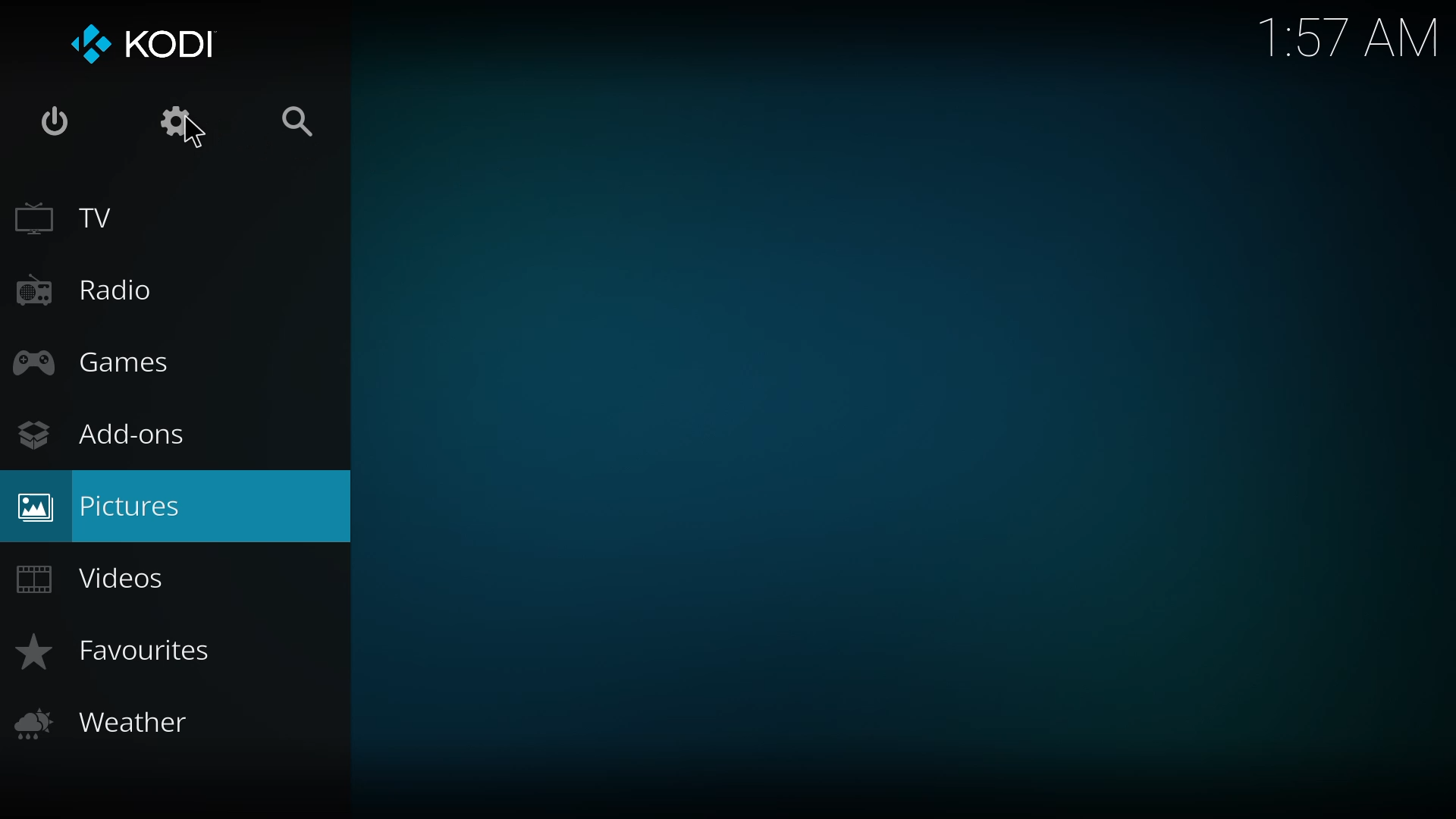  Describe the element at coordinates (68, 218) in the screenshot. I see `tv` at that location.